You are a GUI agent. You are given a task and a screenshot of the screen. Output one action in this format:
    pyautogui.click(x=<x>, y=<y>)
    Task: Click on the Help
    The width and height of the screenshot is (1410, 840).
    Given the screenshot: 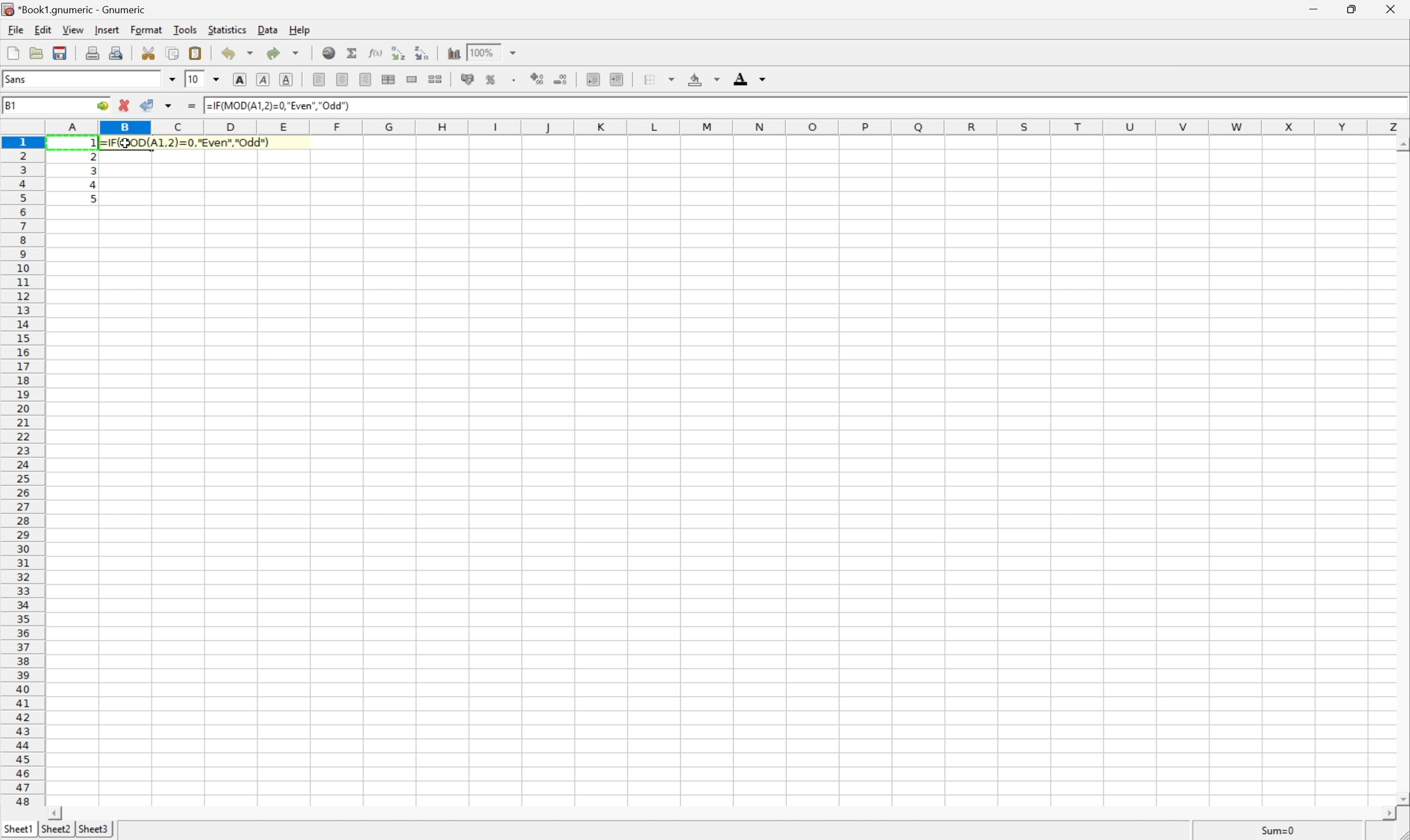 What is the action you would take?
    pyautogui.click(x=301, y=29)
    